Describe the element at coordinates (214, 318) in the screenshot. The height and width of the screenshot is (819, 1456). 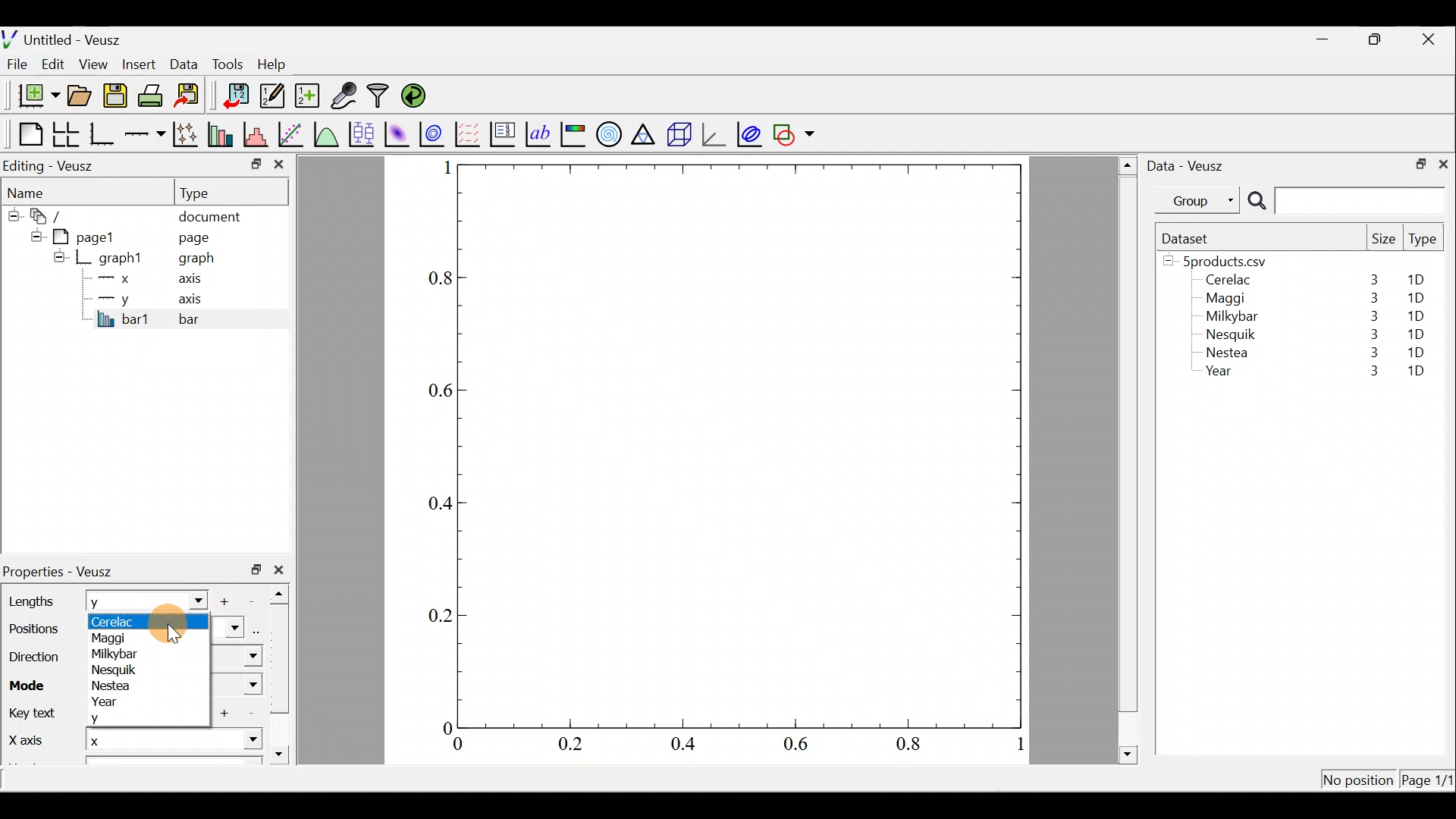
I see `bar` at that location.